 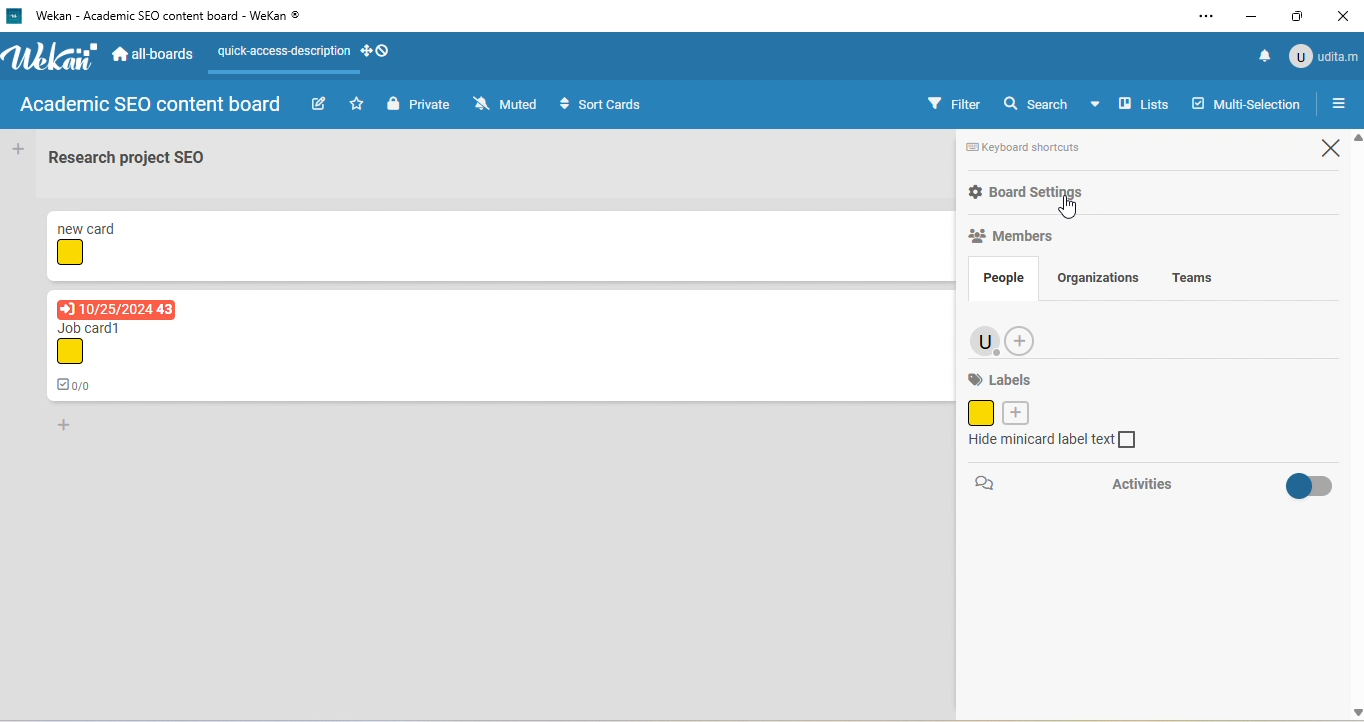 What do you see at coordinates (1195, 281) in the screenshot?
I see `teams` at bounding box center [1195, 281].